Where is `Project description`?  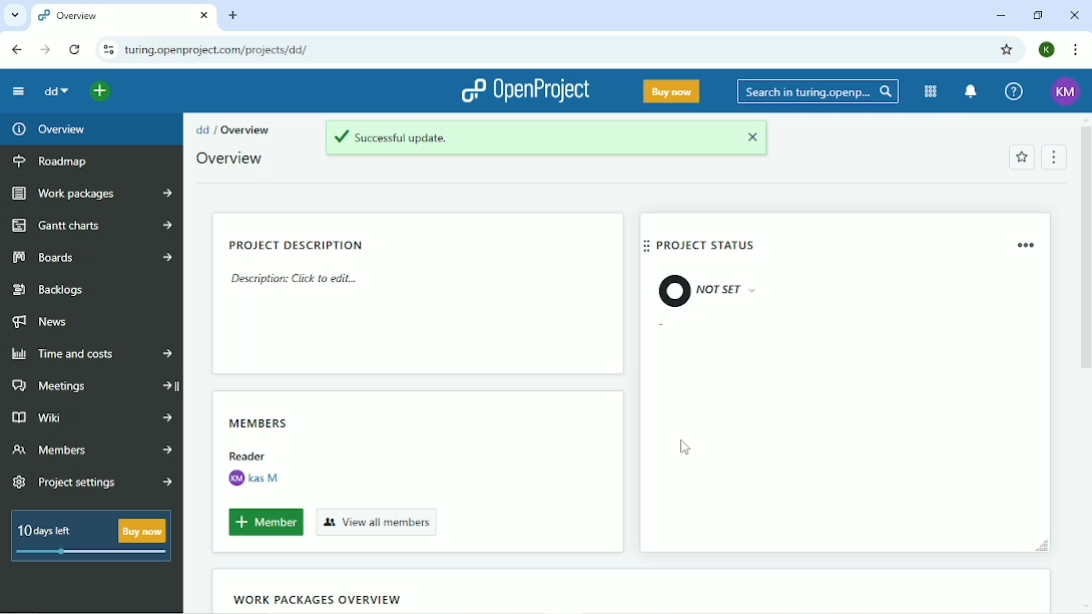
Project description is located at coordinates (298, 243).